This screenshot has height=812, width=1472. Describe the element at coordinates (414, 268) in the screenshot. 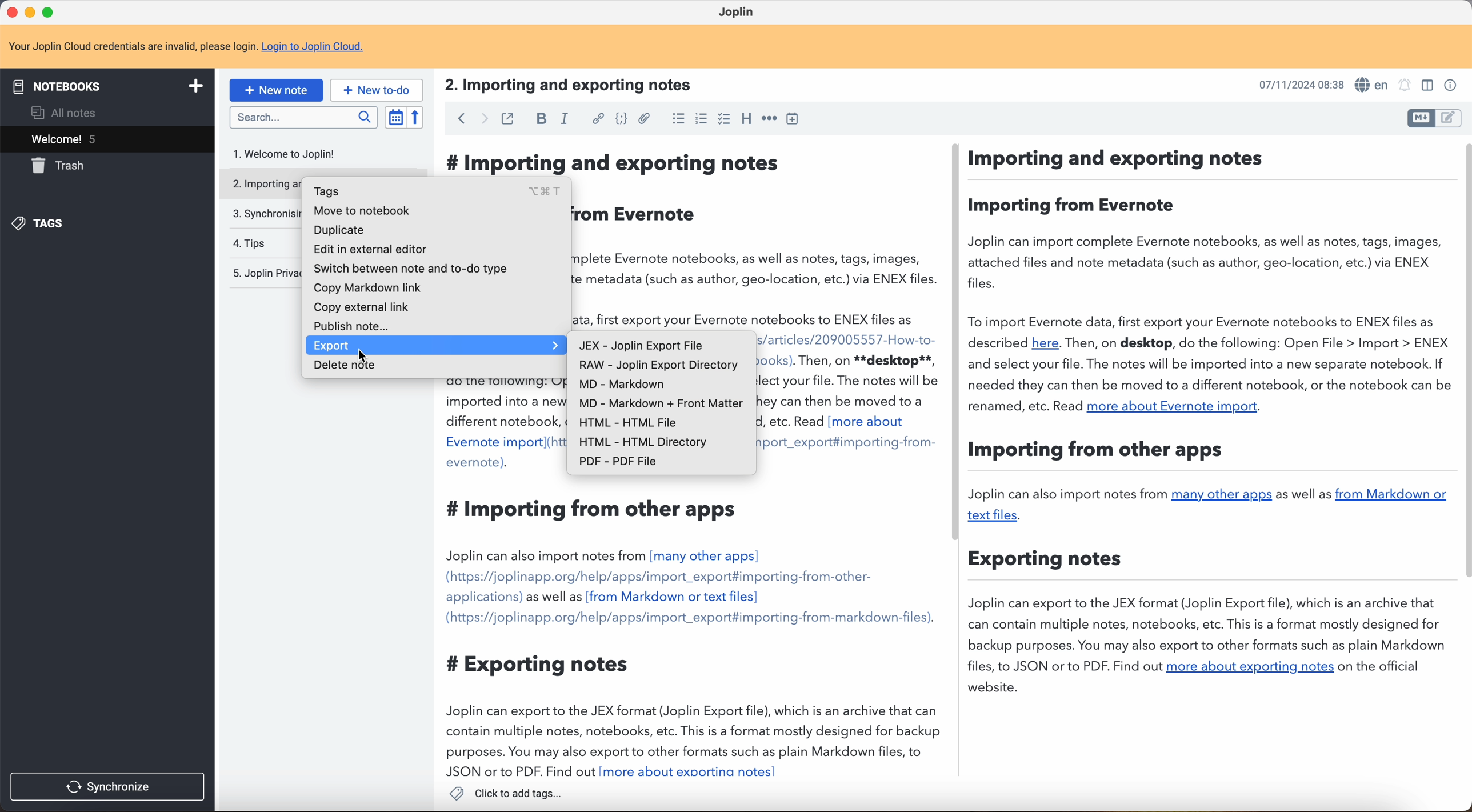

I see `switch between note and to-do type` at that location.